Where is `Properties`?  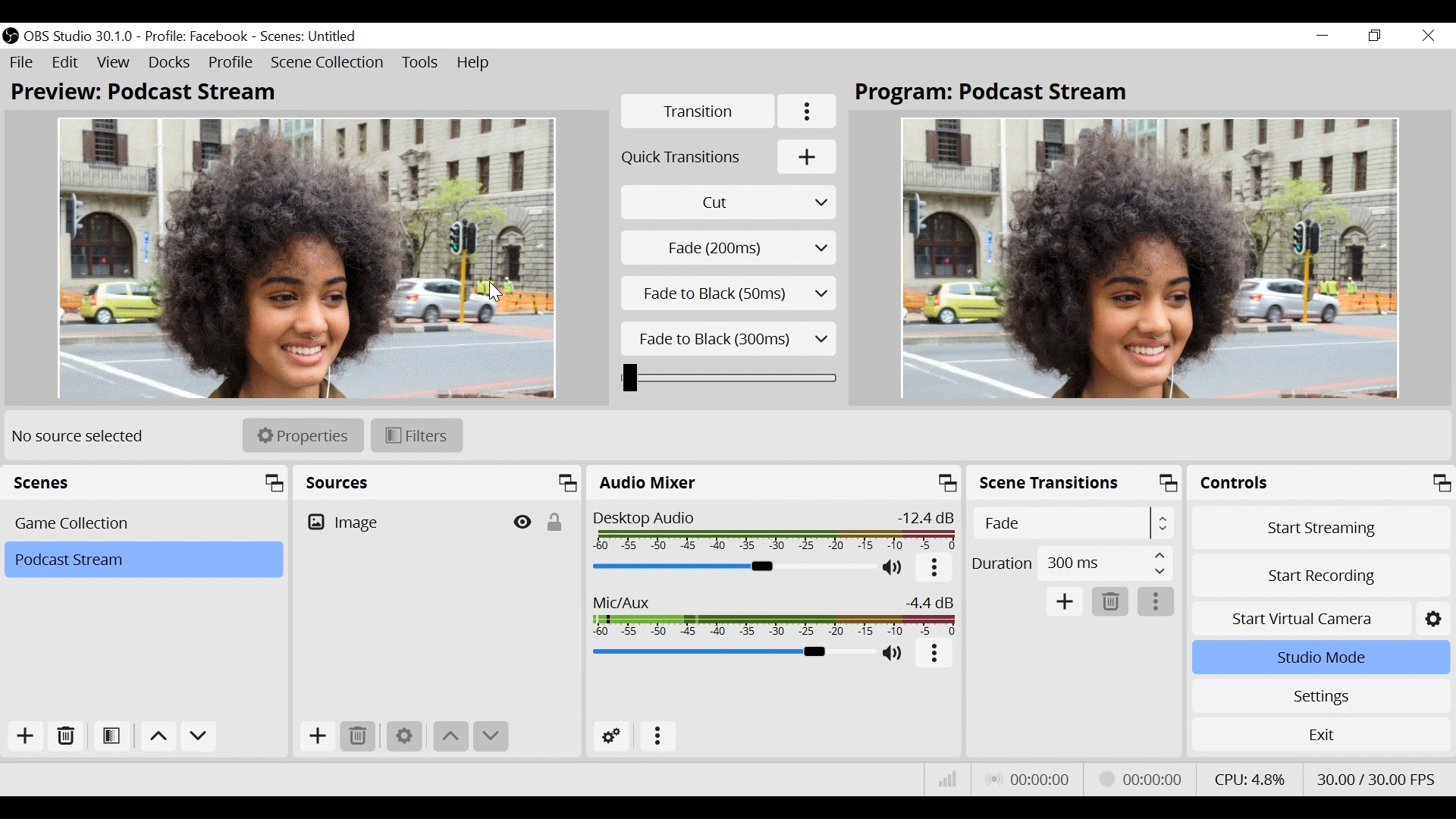
Properties is located at coordinates (303, 435).